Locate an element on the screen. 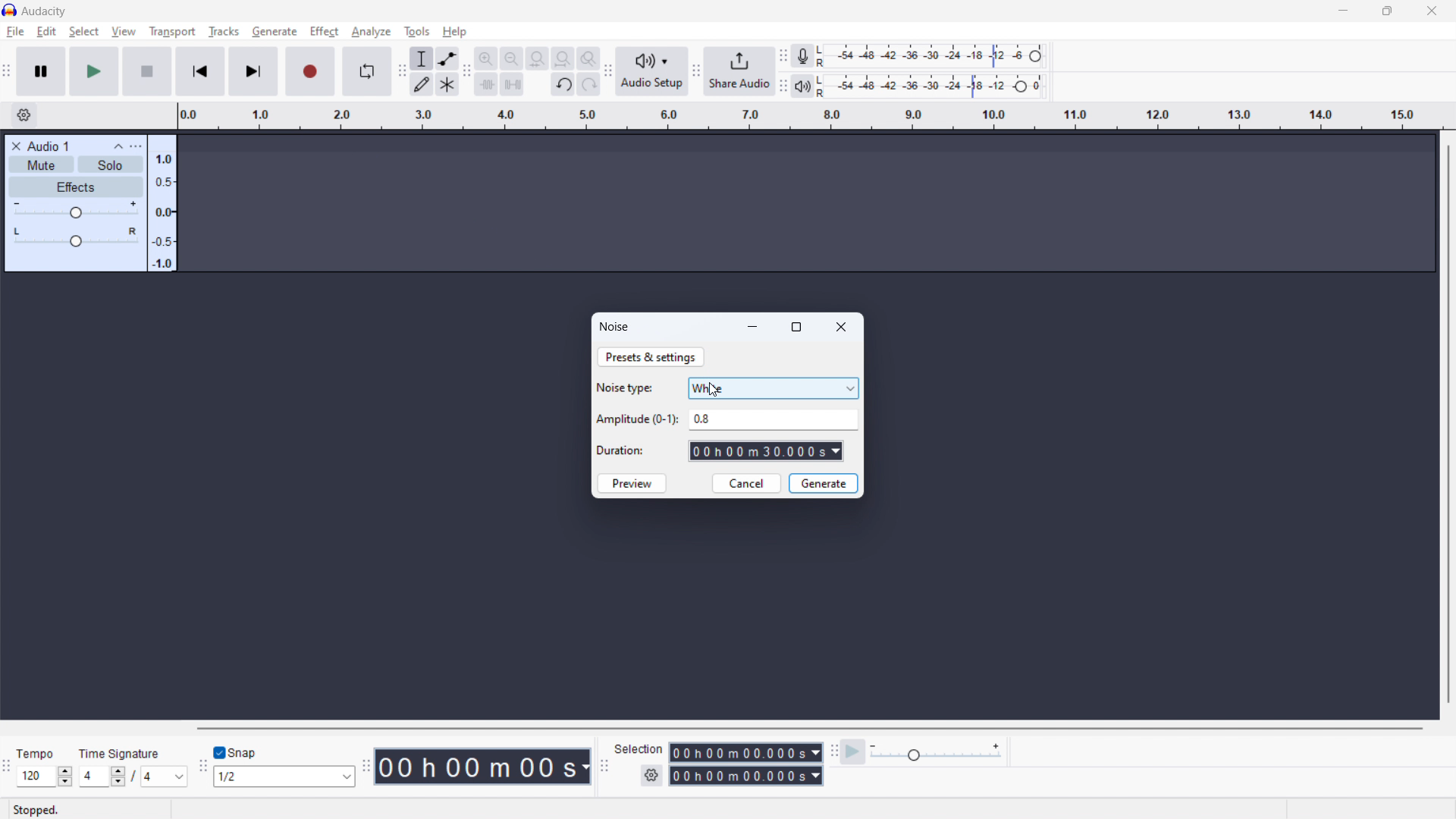 The image size is (1456, 819). draw tool is located at coordinates (422, 83).